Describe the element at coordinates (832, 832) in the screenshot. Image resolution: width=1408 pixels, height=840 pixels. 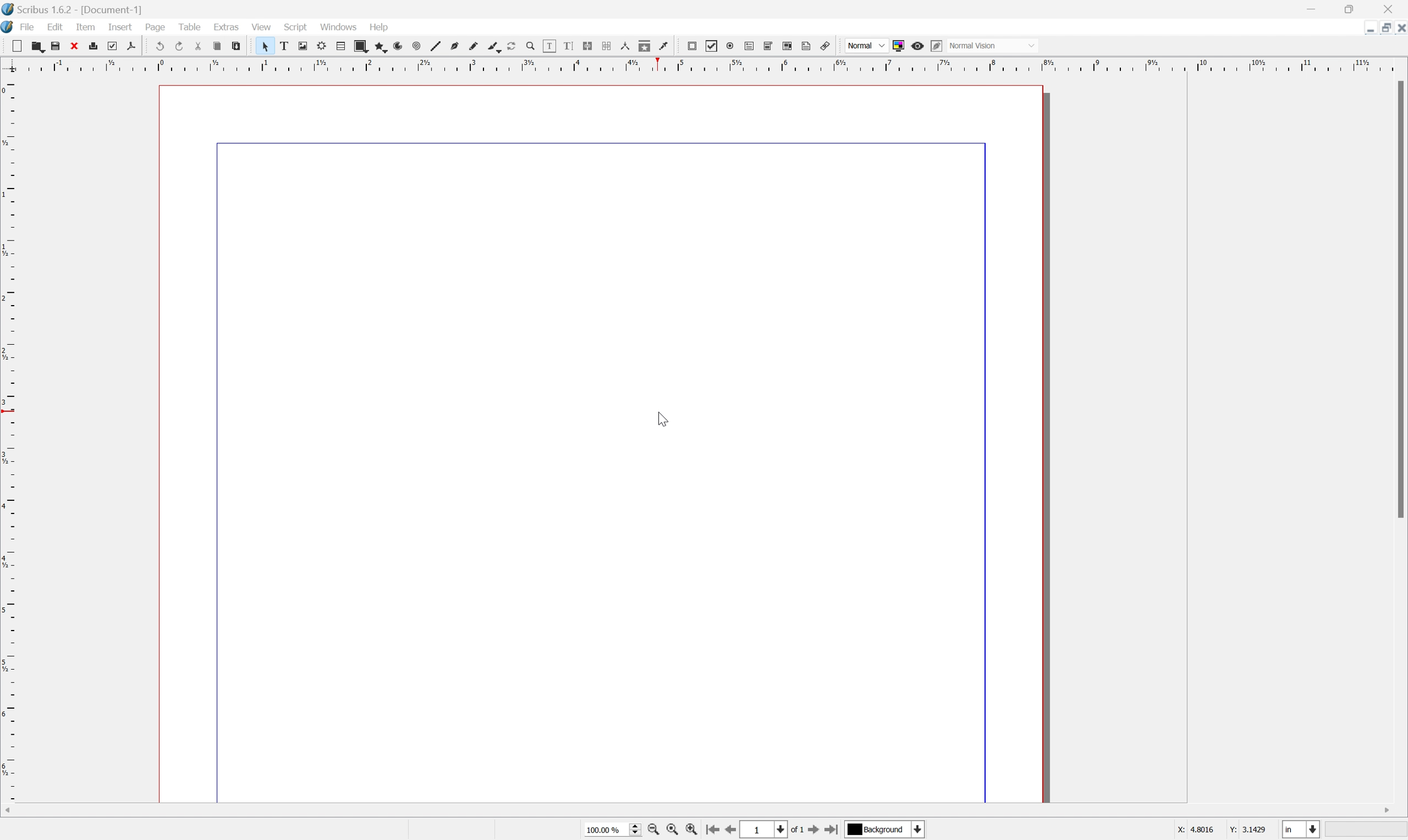
I see `go to last` at that location.